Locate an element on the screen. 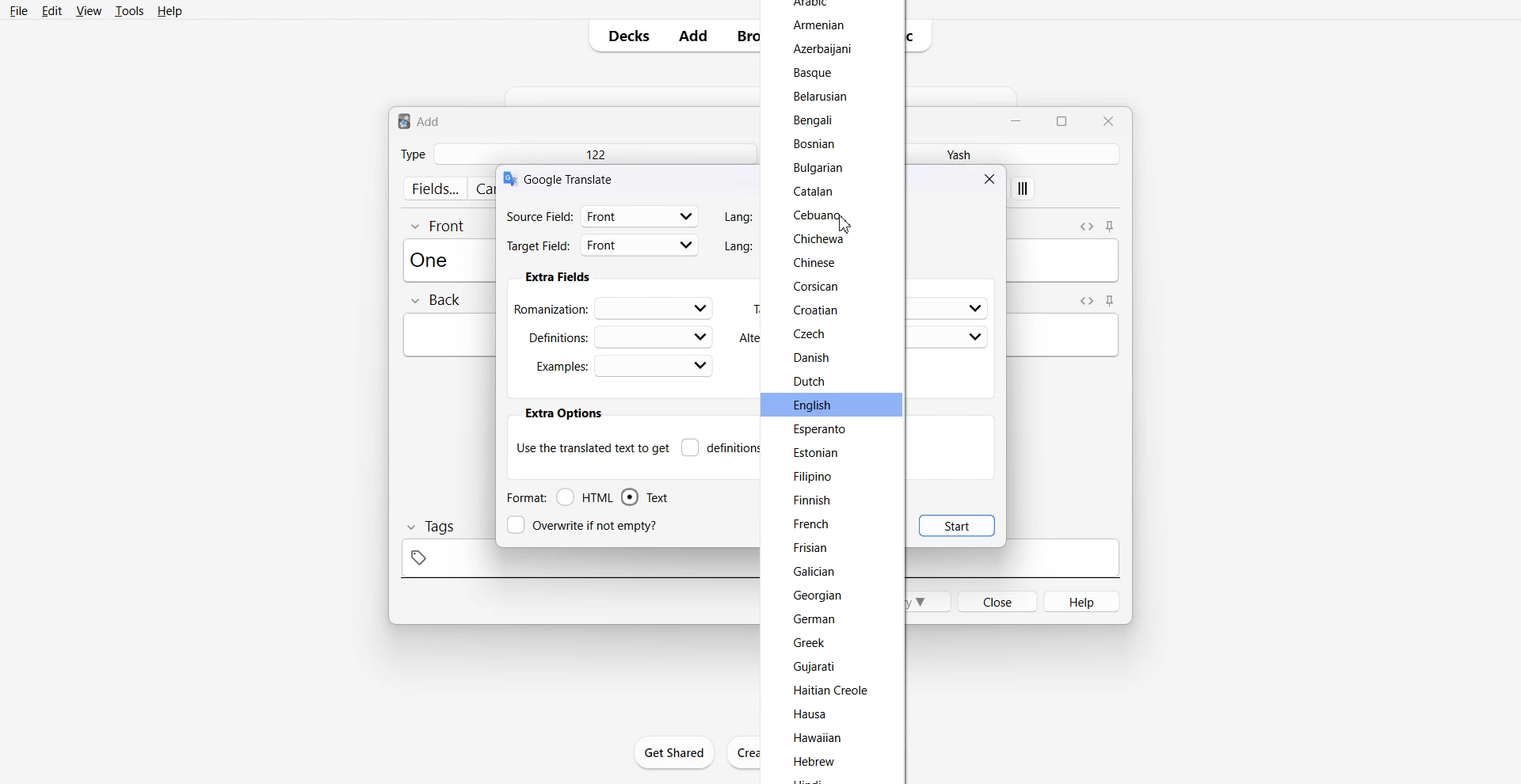  ‘Georgian is located at coordinates (819, 596).